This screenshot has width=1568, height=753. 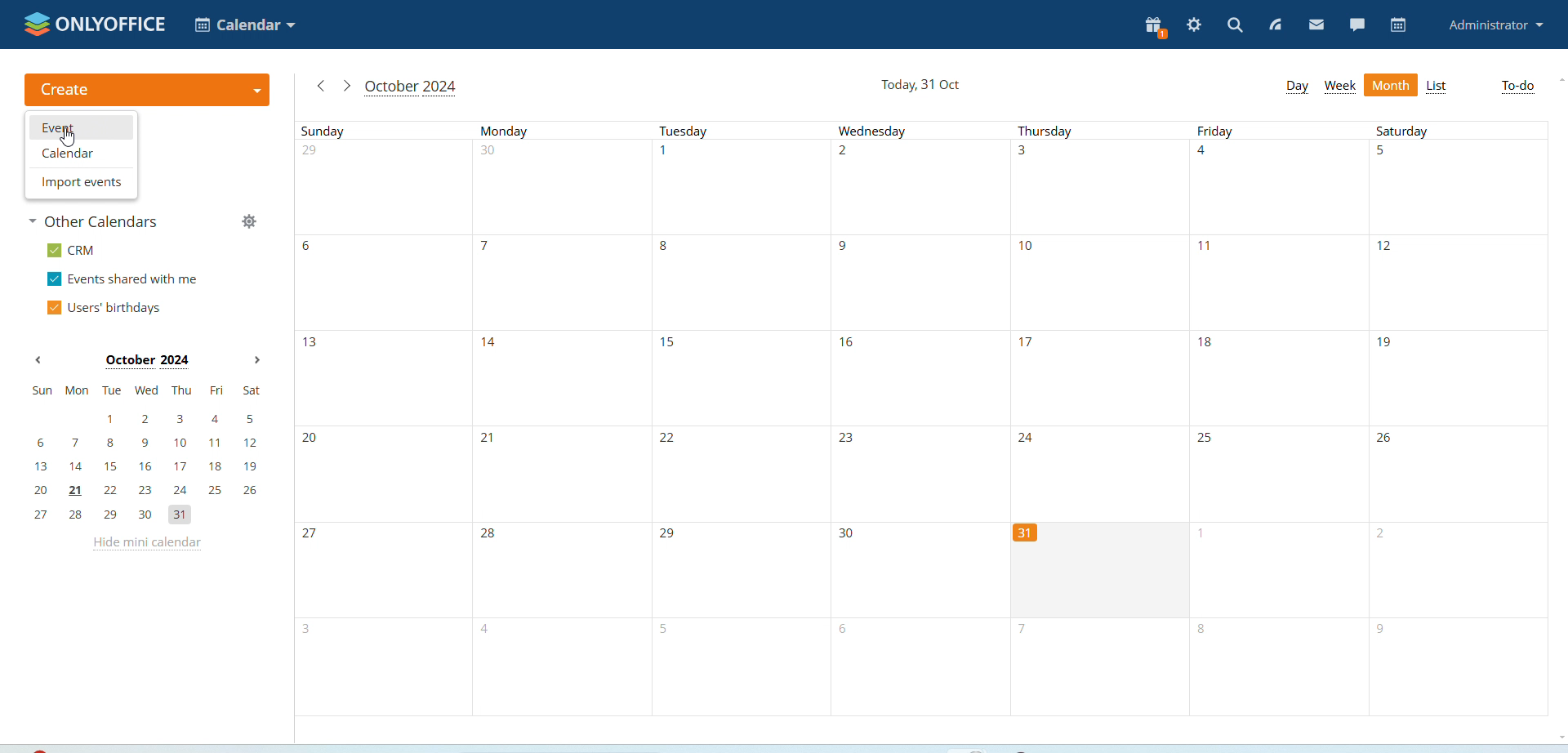 What do you see at coordinates (1274, 26) in the screenshot?
I see `feed` at bounding box center [1274, 26].